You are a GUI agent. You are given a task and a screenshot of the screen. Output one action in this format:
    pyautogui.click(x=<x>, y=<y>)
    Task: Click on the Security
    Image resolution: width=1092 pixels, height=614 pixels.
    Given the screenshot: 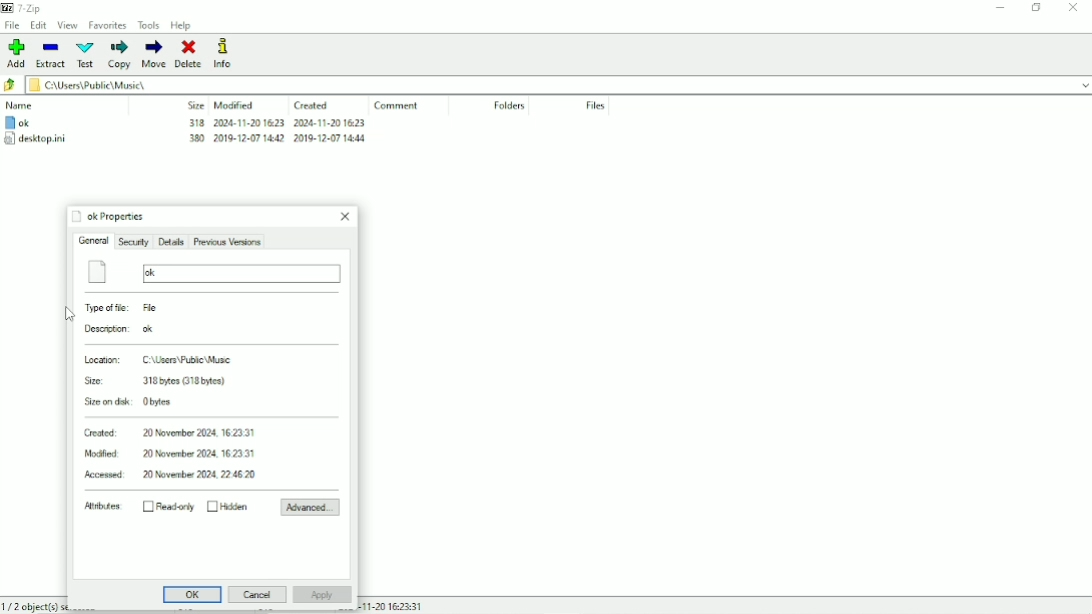 What is the action you would take?
    pyautogui.click(x=133, y=241)
    